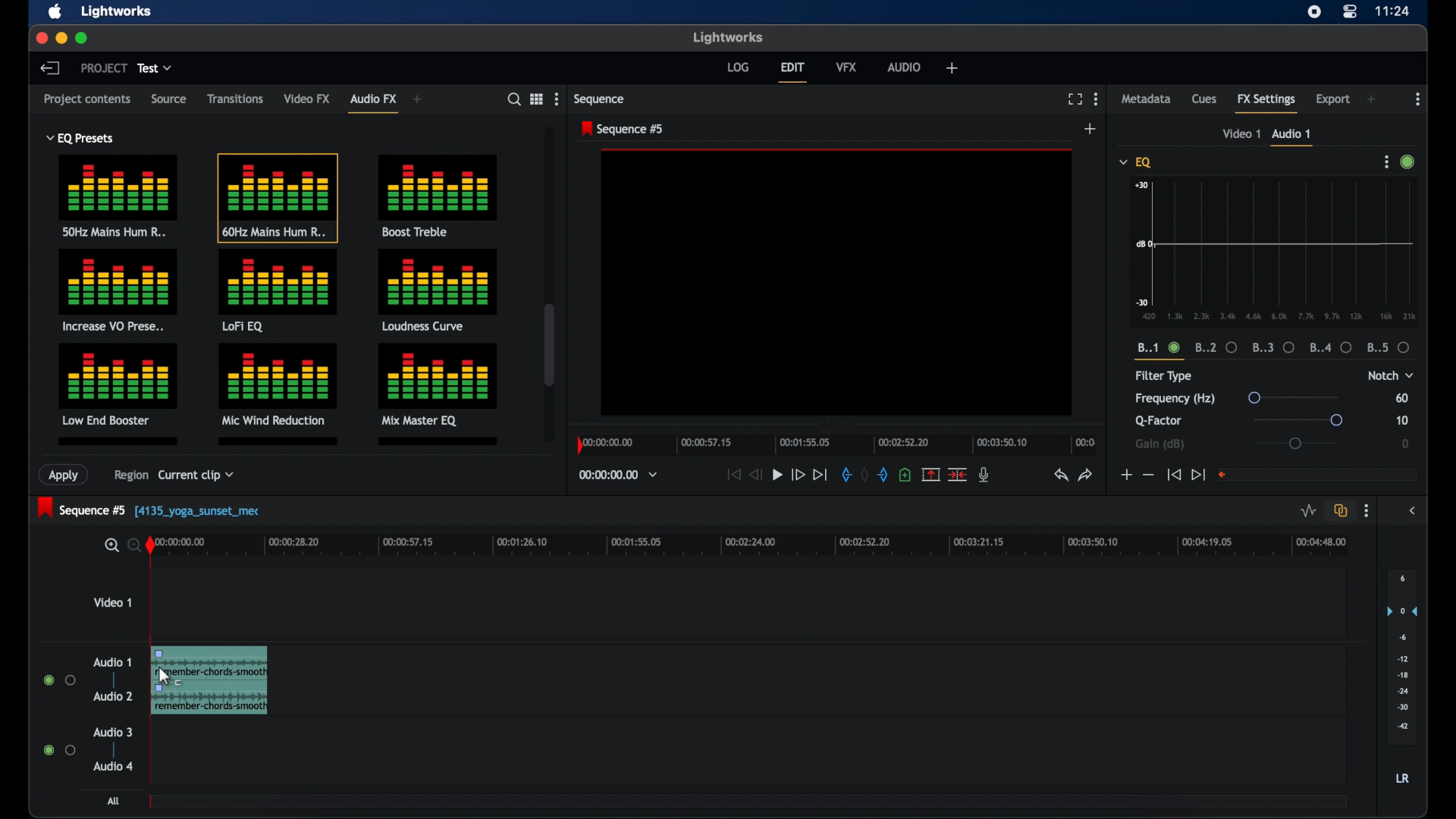 The width and height of the screenshot is (1456, 819). Describe the element at coordinates (1296, 444) in the screenshot. I see `slider` at that location.